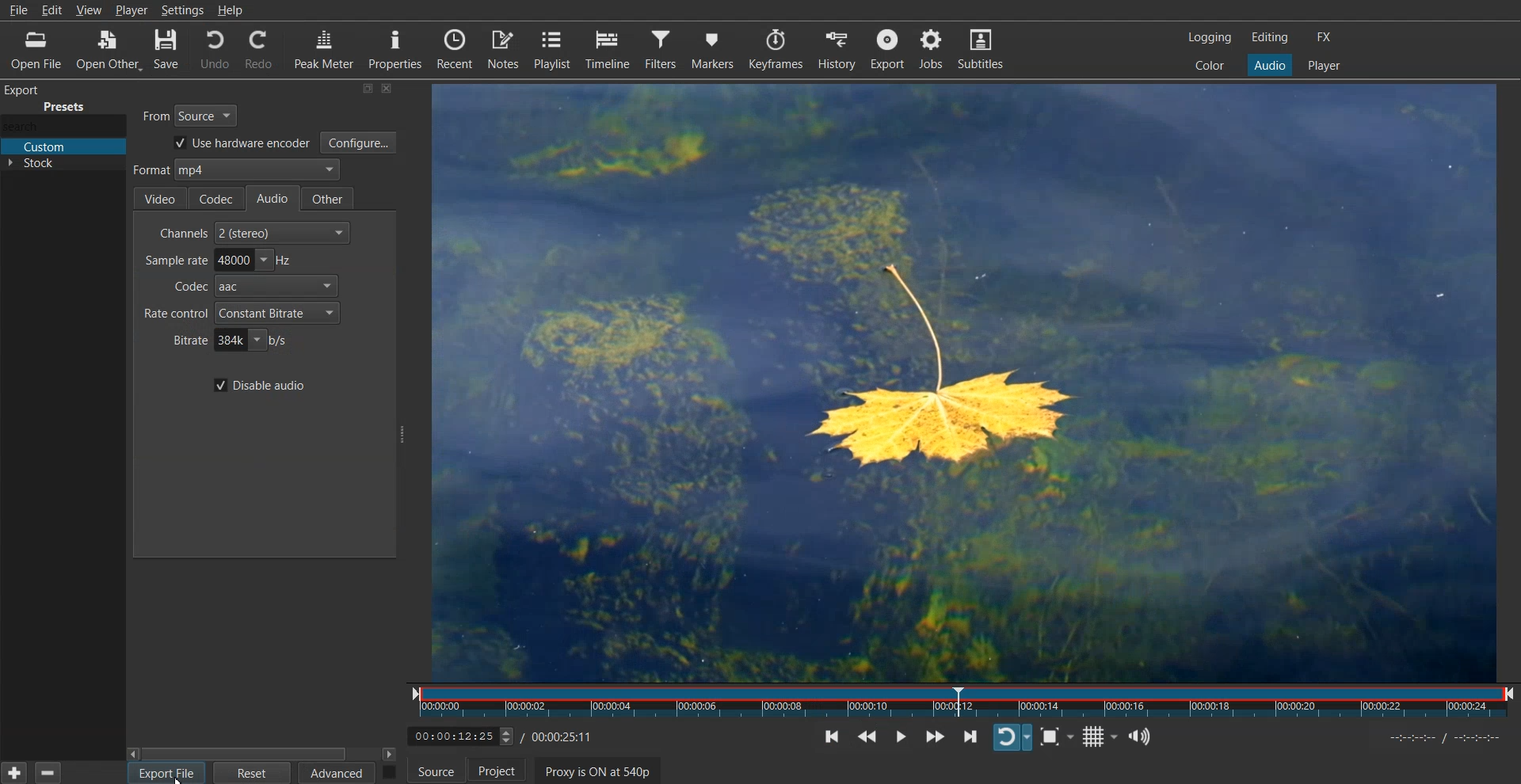  Describe the element at coordinates (661, 49) in the screenshot. I see `Filters` at that location.